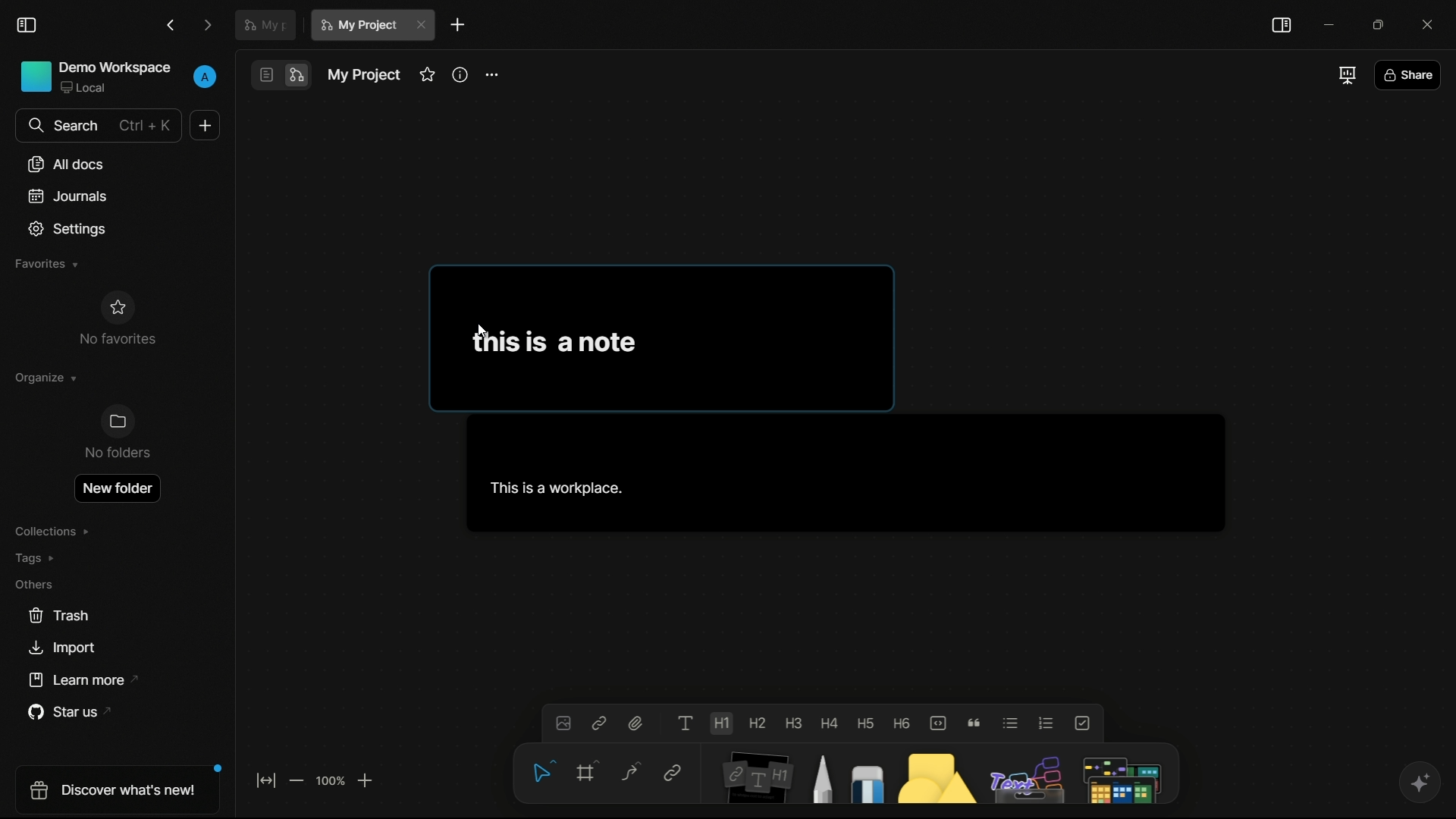 The image size is (1456, 819). Describe the element at coordinates (1432, 23) in the screenshot. I see `close app` at that location.